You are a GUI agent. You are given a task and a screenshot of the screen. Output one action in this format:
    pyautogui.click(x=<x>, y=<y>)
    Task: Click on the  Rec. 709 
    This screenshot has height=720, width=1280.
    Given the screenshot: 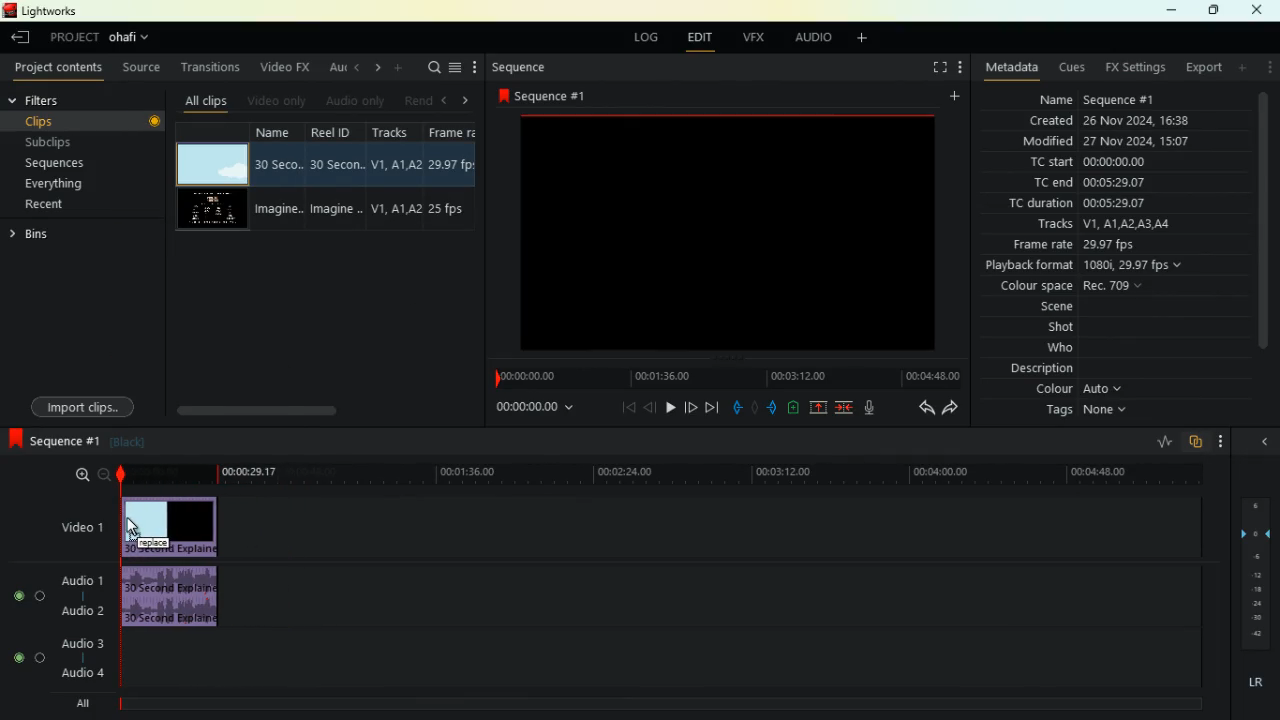 What is the action you would take?
    pyautogui.click(x=1116, y=285)
    